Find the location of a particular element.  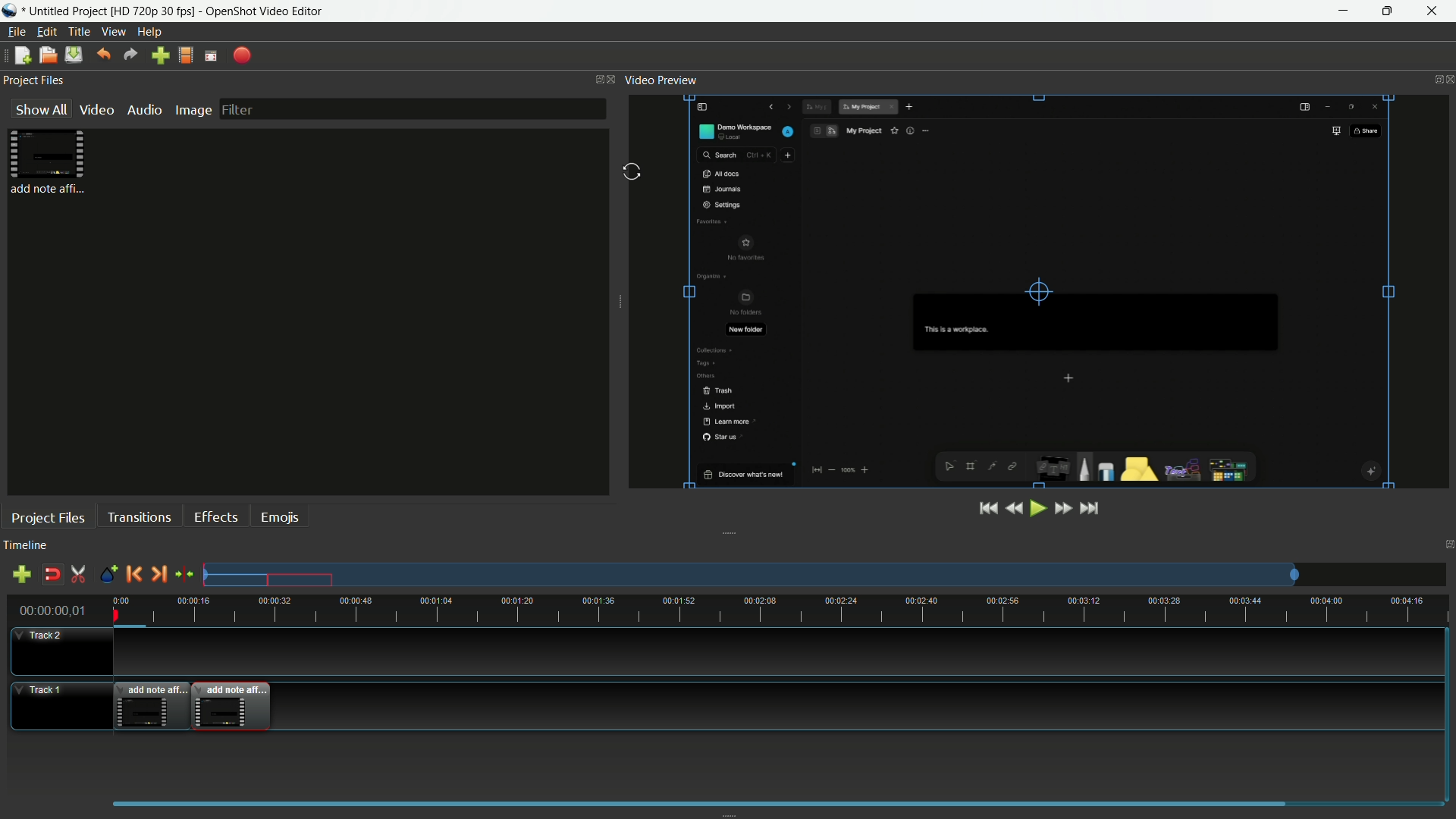

rewind is located at coordinates (1012, 509).